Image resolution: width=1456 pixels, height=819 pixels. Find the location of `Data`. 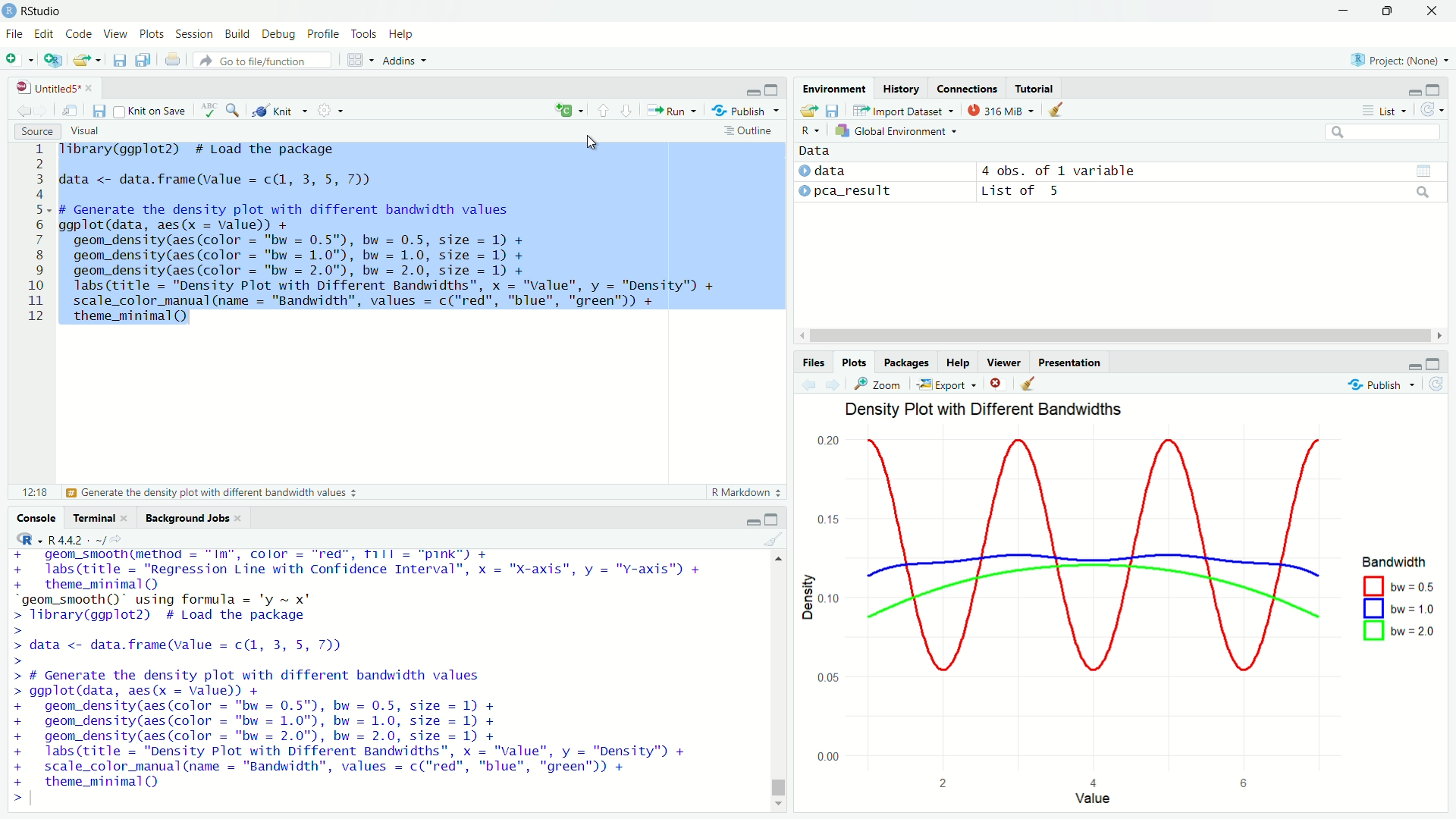

Data is located at coordinates (815, 151).